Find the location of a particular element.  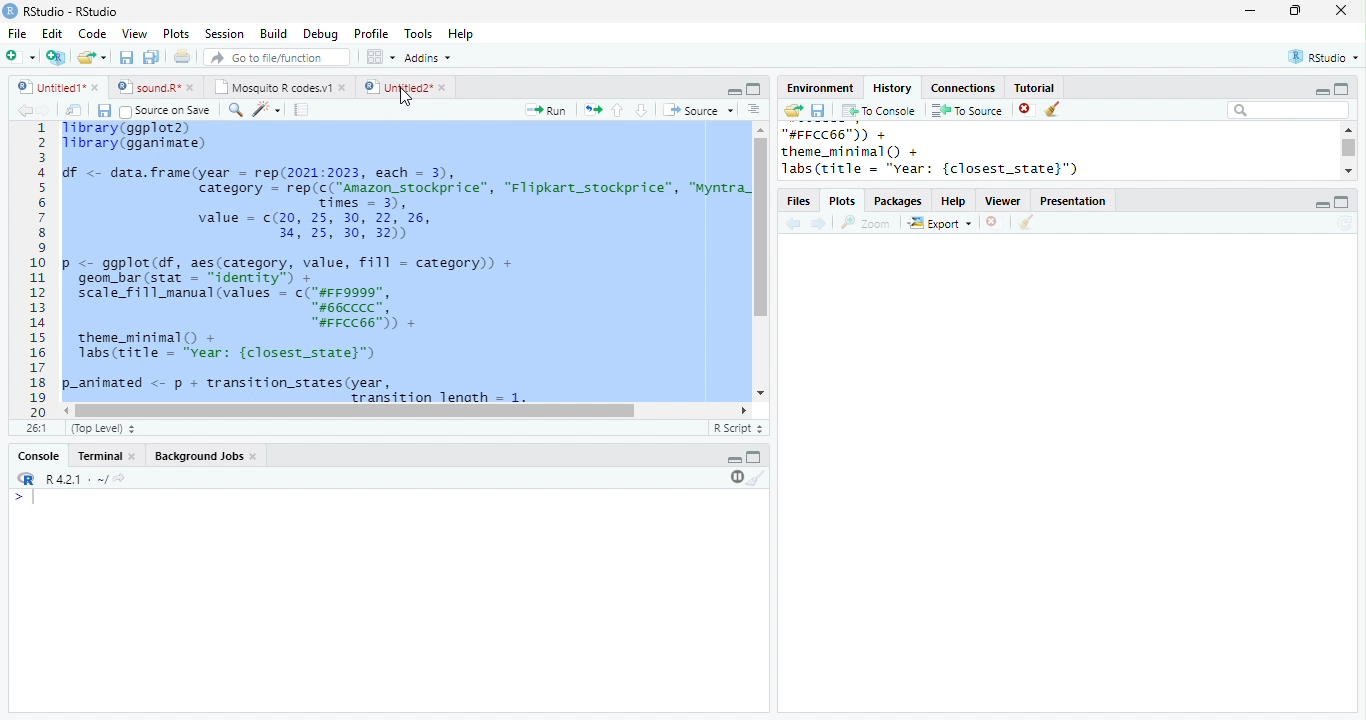

close is located at coordinates (192, 88).